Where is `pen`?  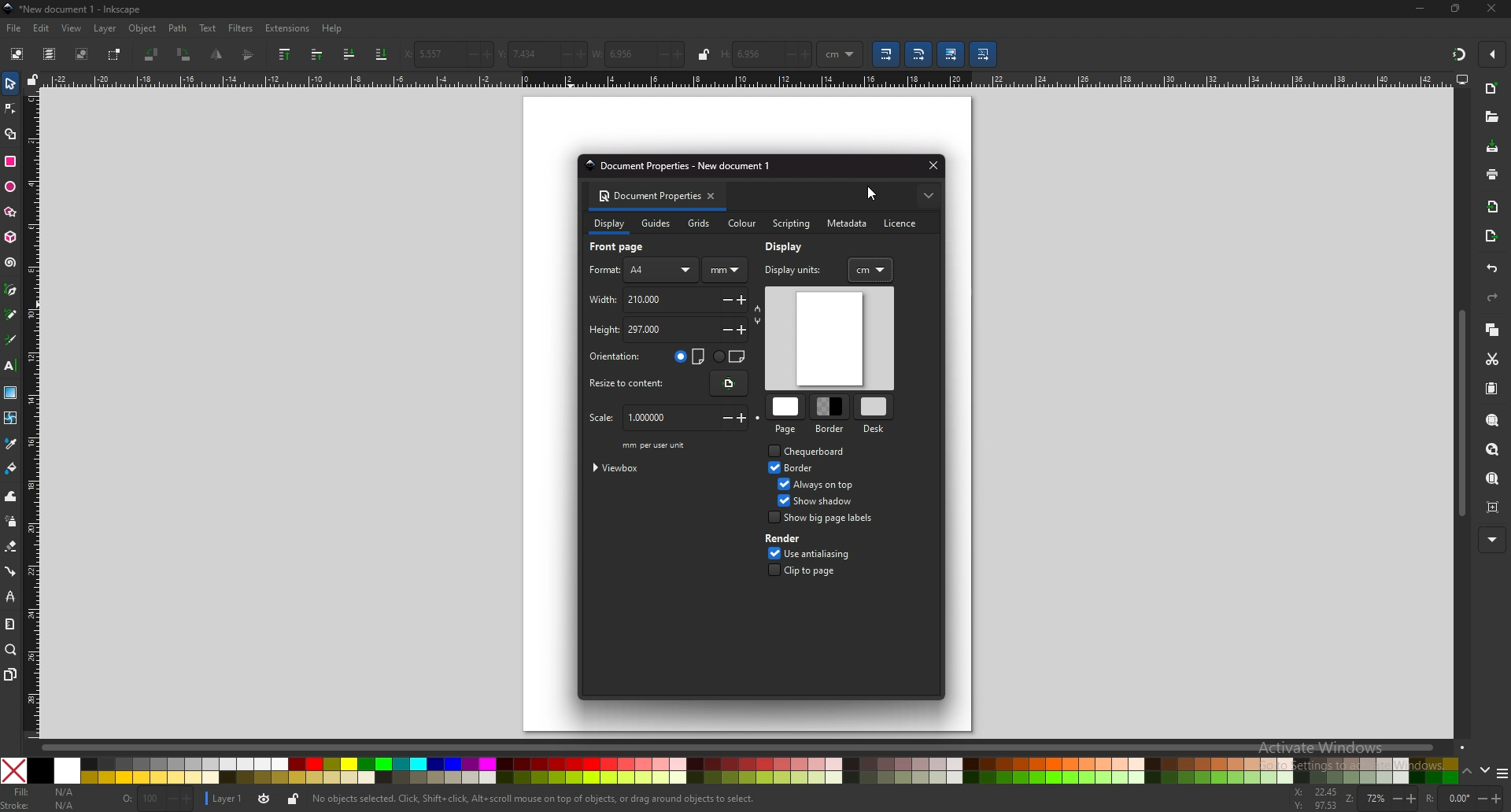
pen is located at coordinates (11, 290).